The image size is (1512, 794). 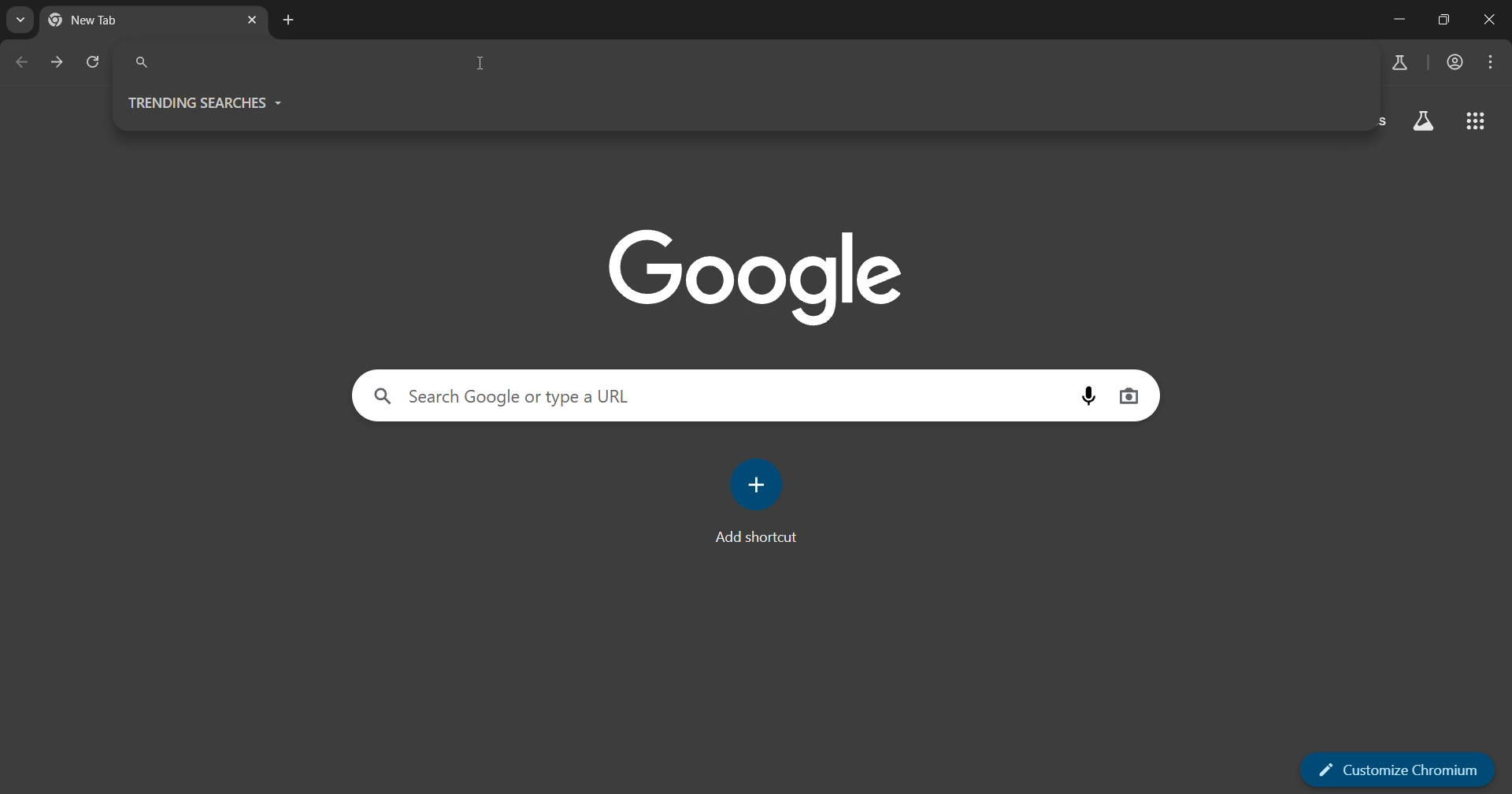 What do you see at coordinates (1479, 121) in the screenshot?
I see `google apps` at bounding box center [1479, 121].